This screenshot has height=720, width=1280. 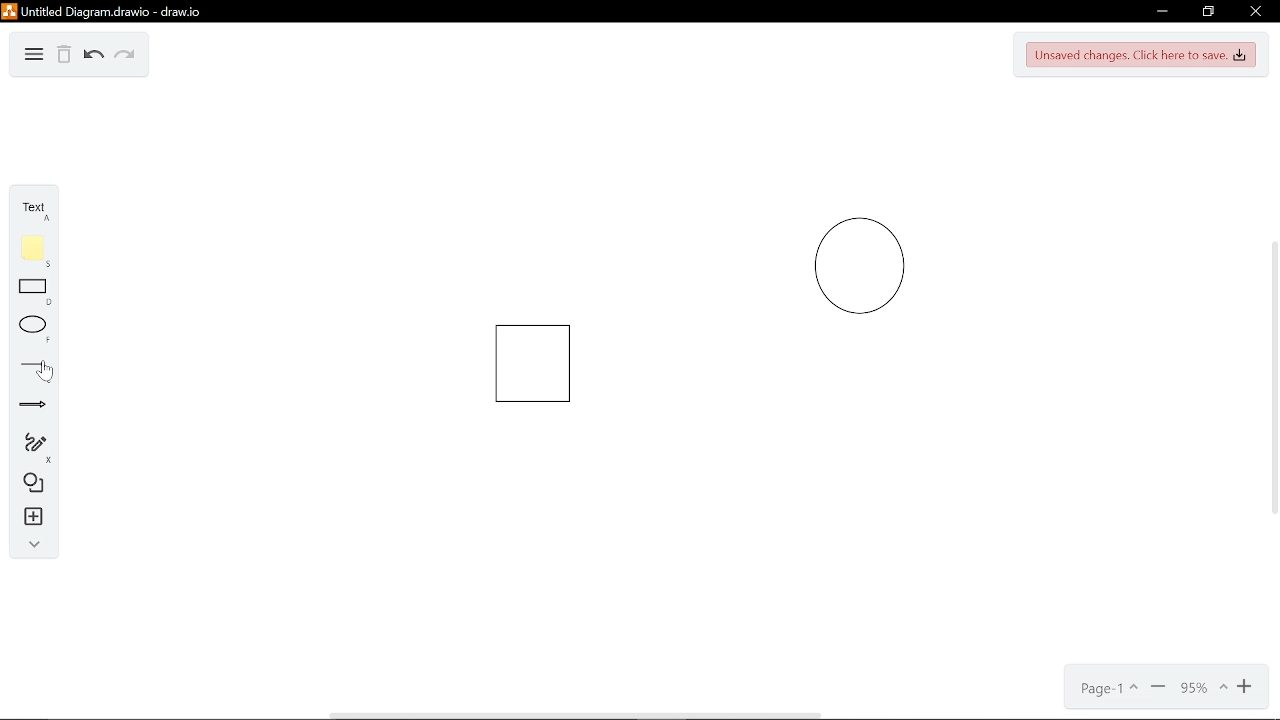 I want to click on Zoom out, so click(x=1158, y=689).